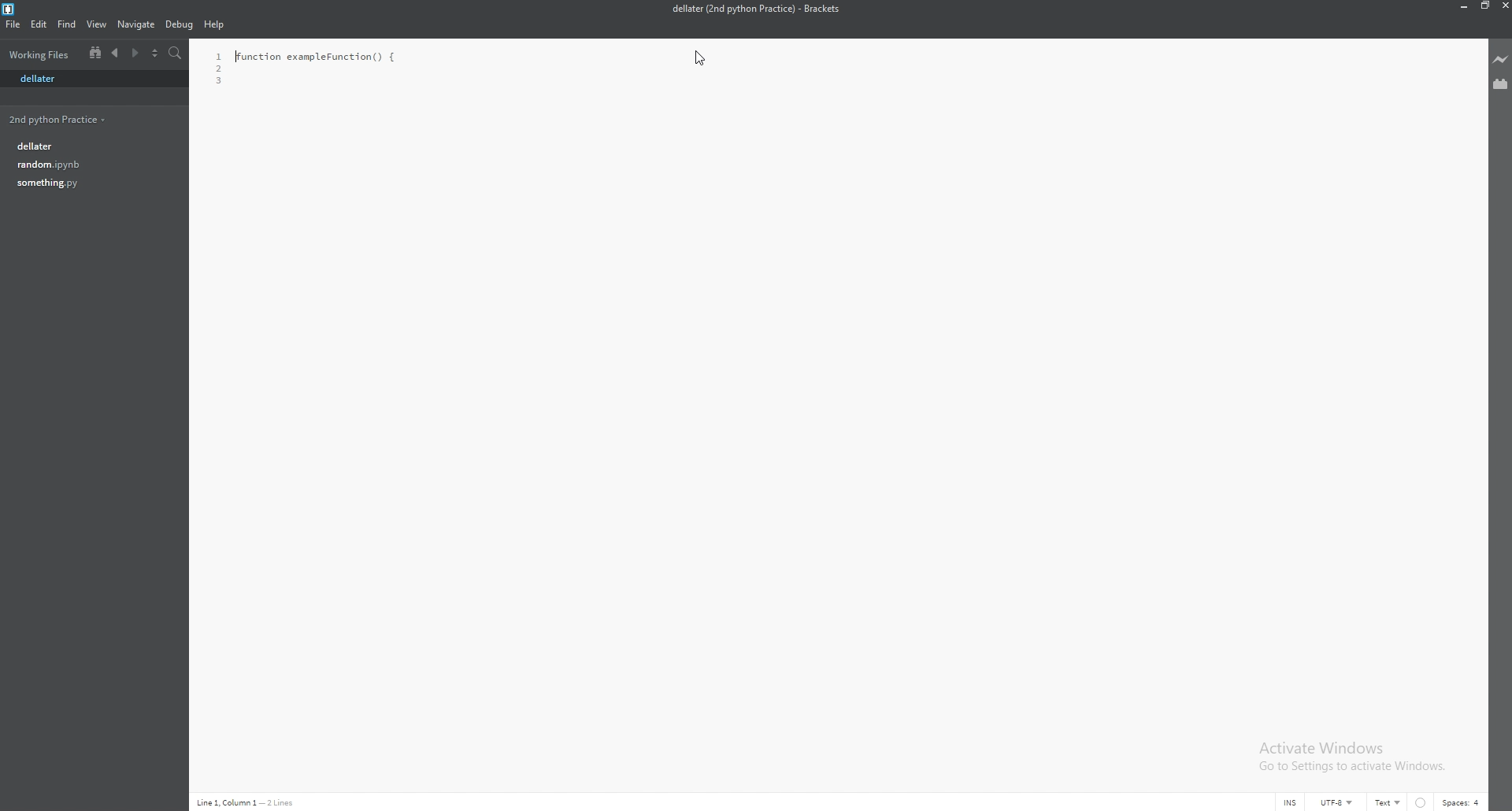 The width and height of the screenshot is (1512, 811). What do you see at coordinates (316, 57) in the screenshot?
I see `function exampleFunction() {` at bounding box center [316, 57].